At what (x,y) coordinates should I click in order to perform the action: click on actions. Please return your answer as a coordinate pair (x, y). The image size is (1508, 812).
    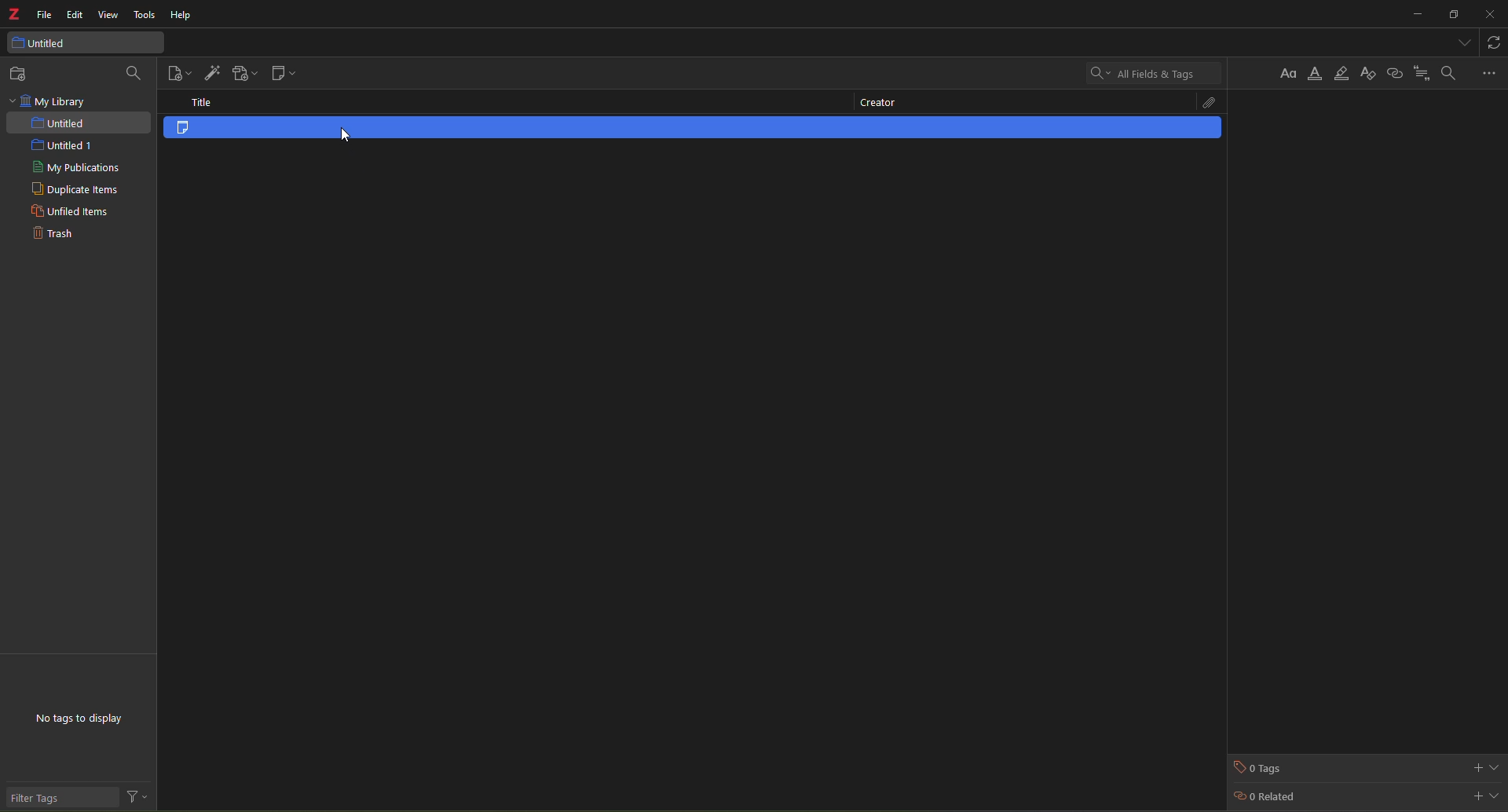
    Looking at the image, I should click on (137, 797).